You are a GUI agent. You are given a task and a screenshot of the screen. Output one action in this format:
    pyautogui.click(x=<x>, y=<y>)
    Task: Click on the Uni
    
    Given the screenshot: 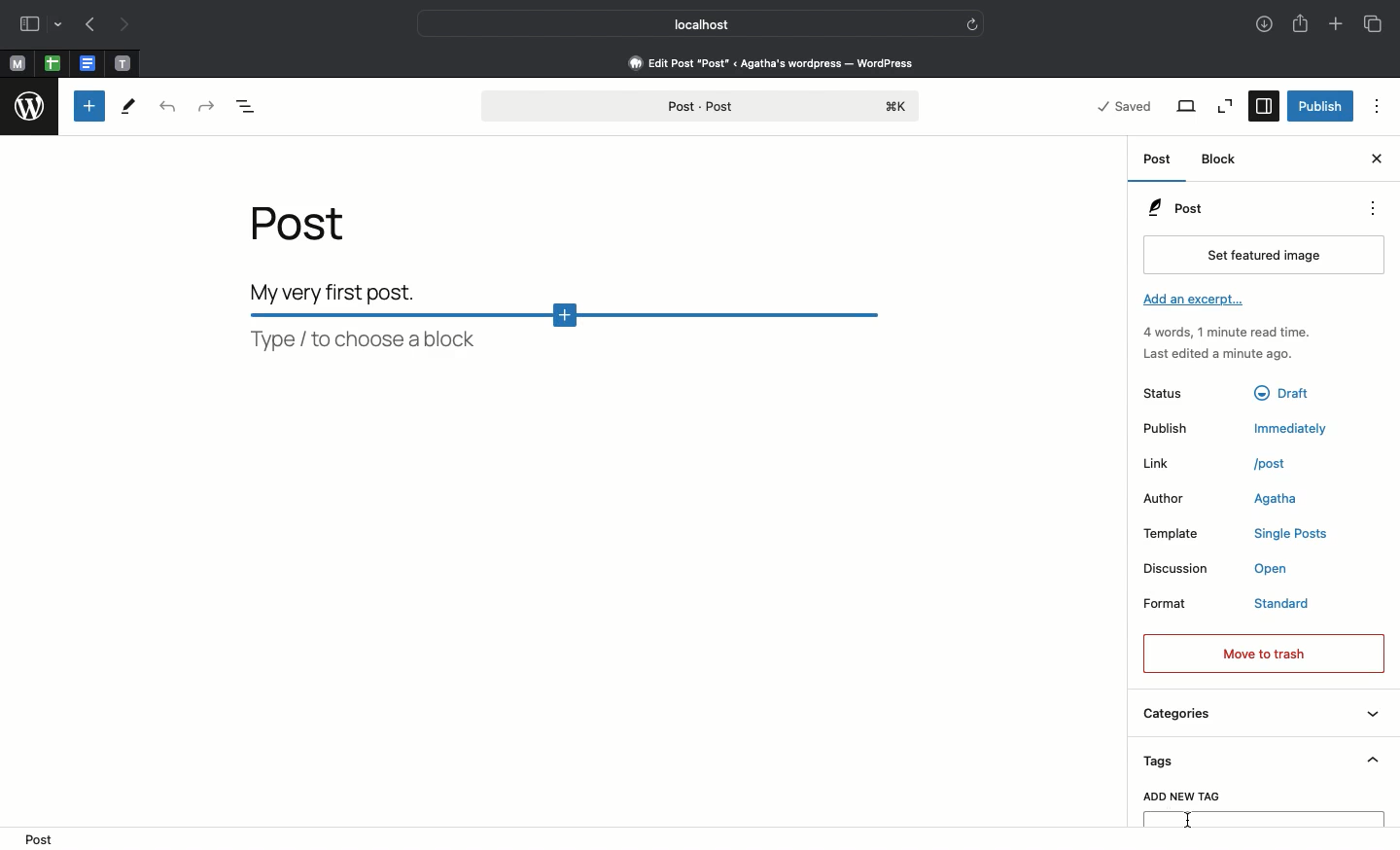 What is the action you would take?
    pyautogui.click(x=165, y=107)
    